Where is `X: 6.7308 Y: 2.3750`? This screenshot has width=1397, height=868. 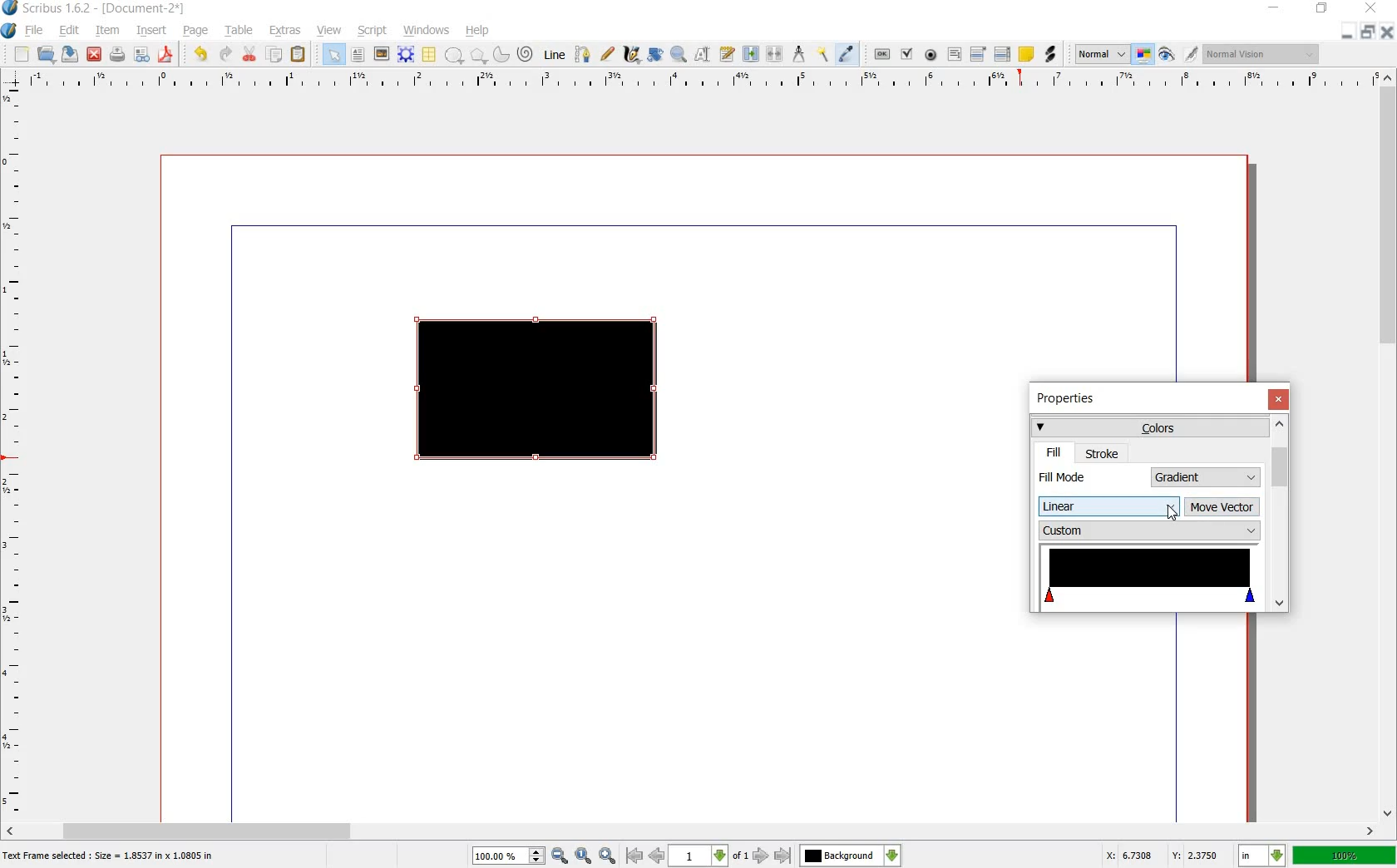 X: 6.7308 Y: 2.3750 is located at coordinates (1162, 855).